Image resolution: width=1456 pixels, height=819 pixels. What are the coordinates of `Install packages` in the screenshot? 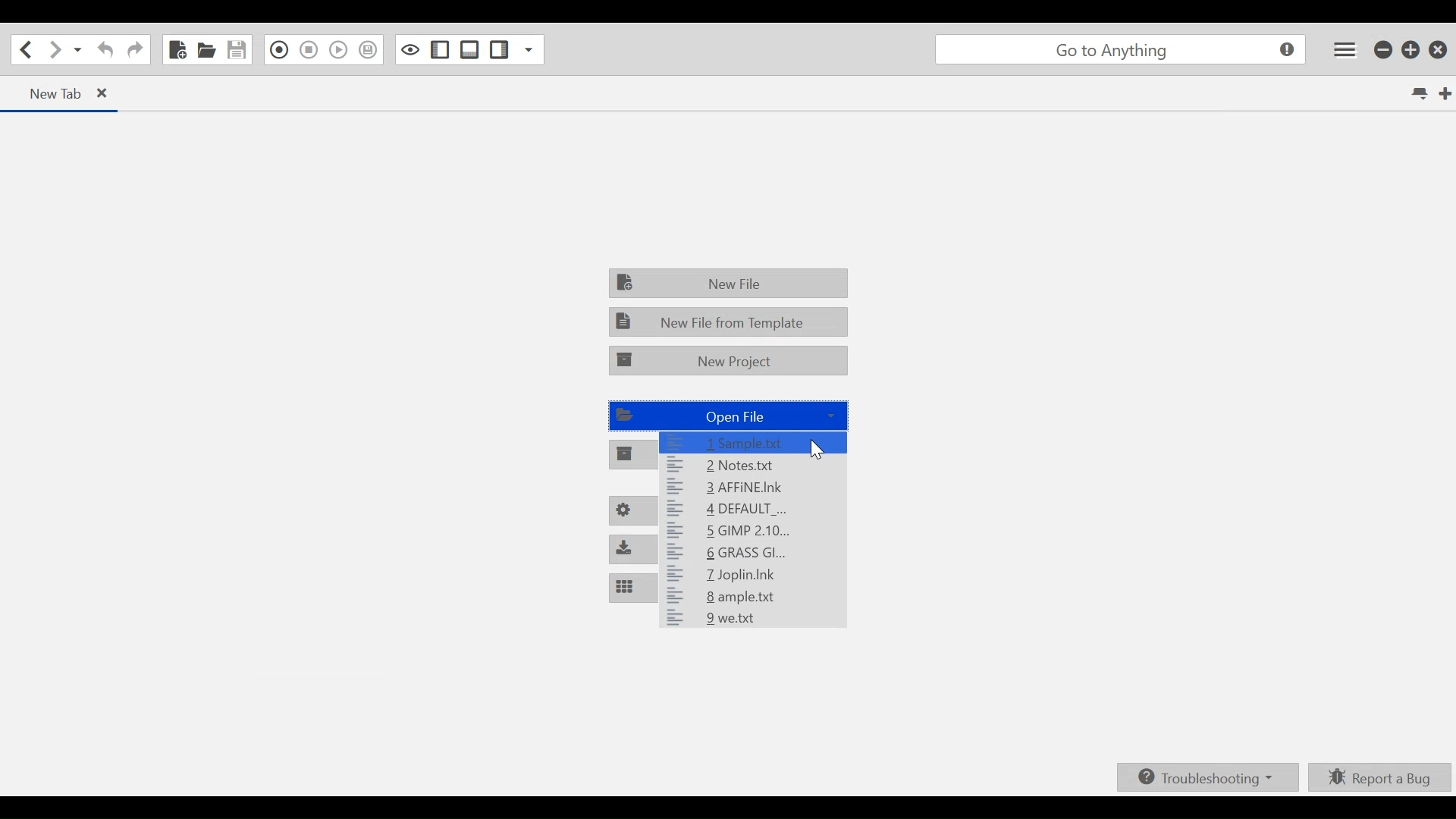 It's located at (626, 548).